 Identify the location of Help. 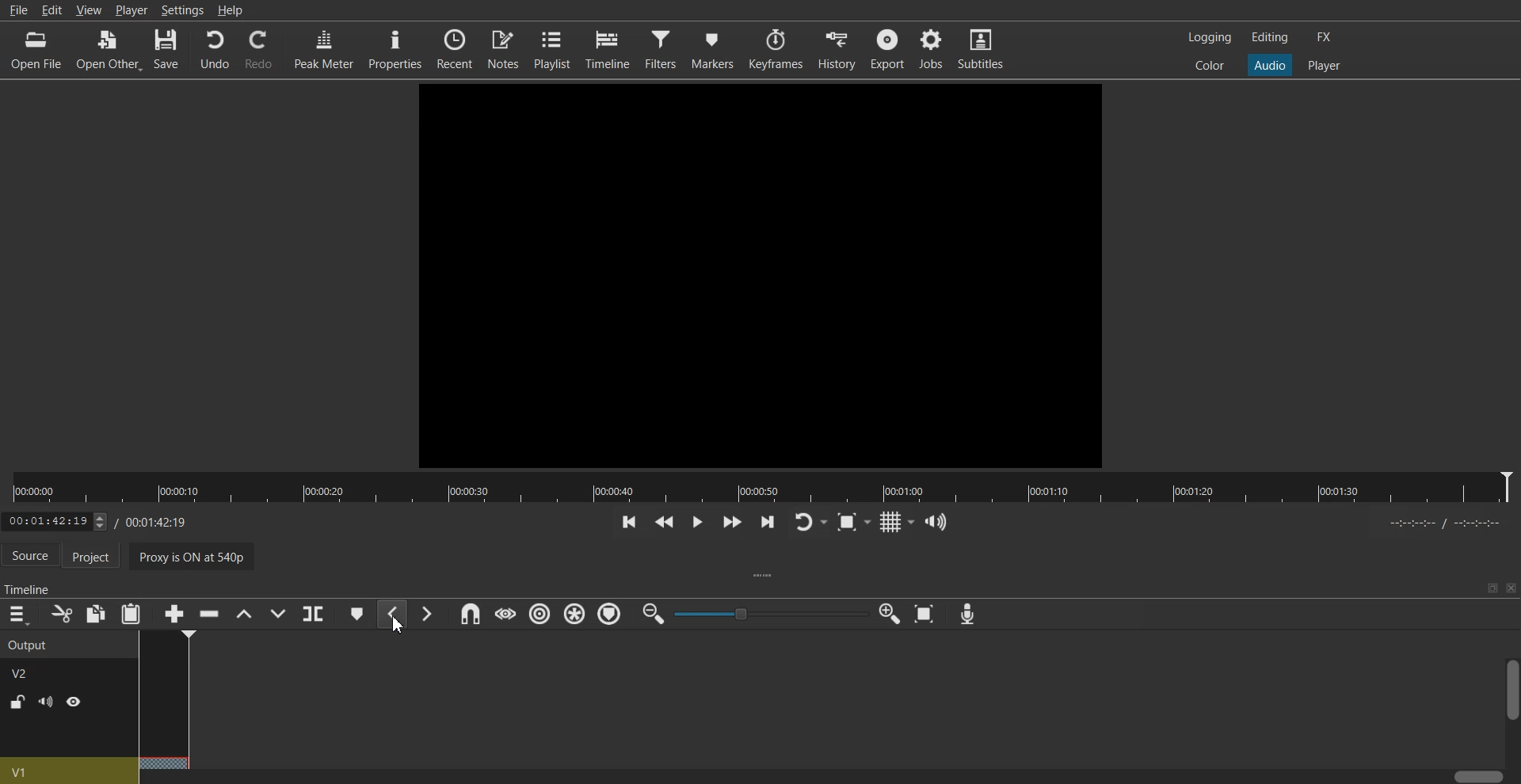
(231, 10).